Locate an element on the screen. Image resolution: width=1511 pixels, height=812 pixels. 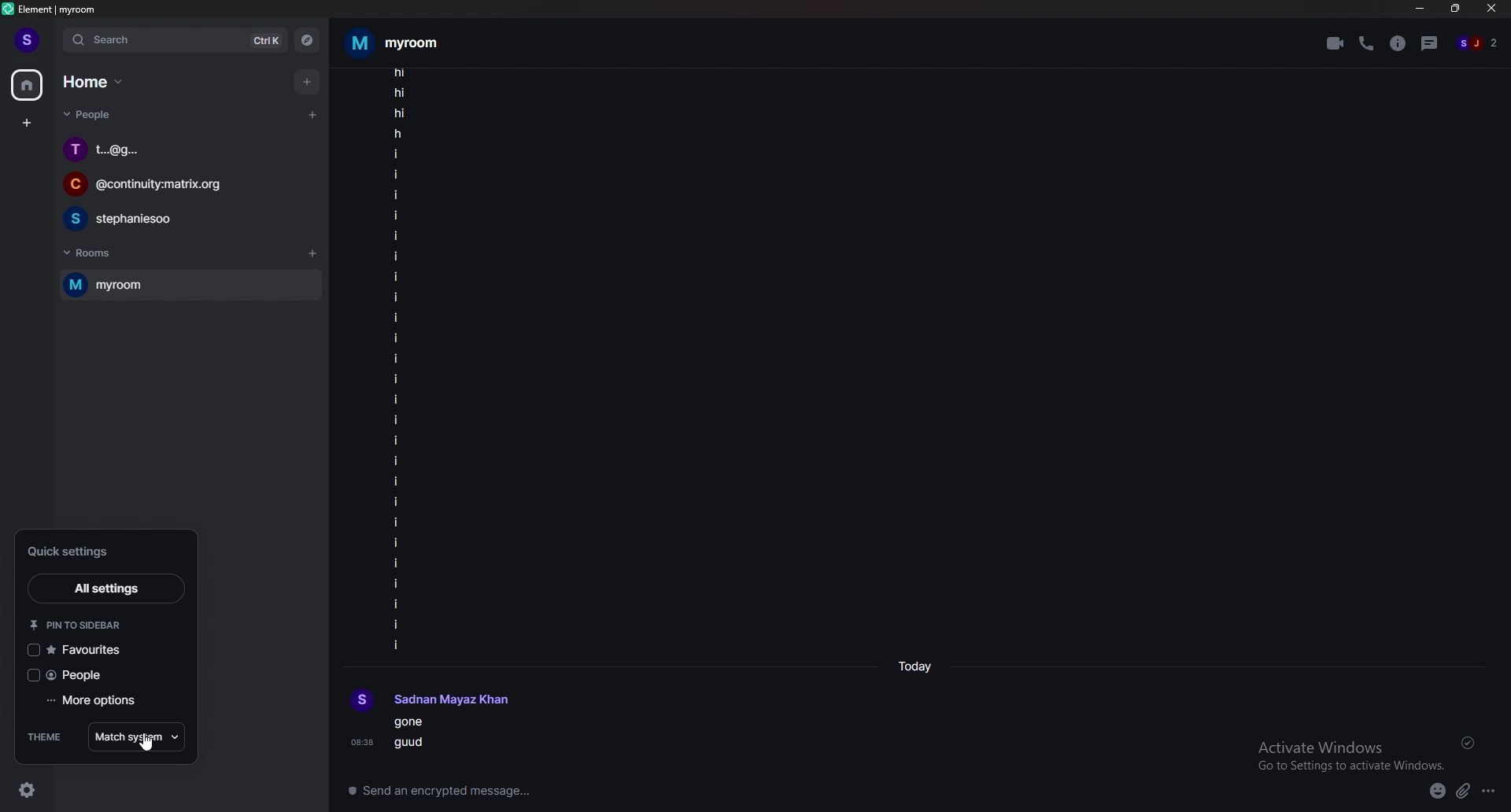
create a space is located at coordinates (28, 123).